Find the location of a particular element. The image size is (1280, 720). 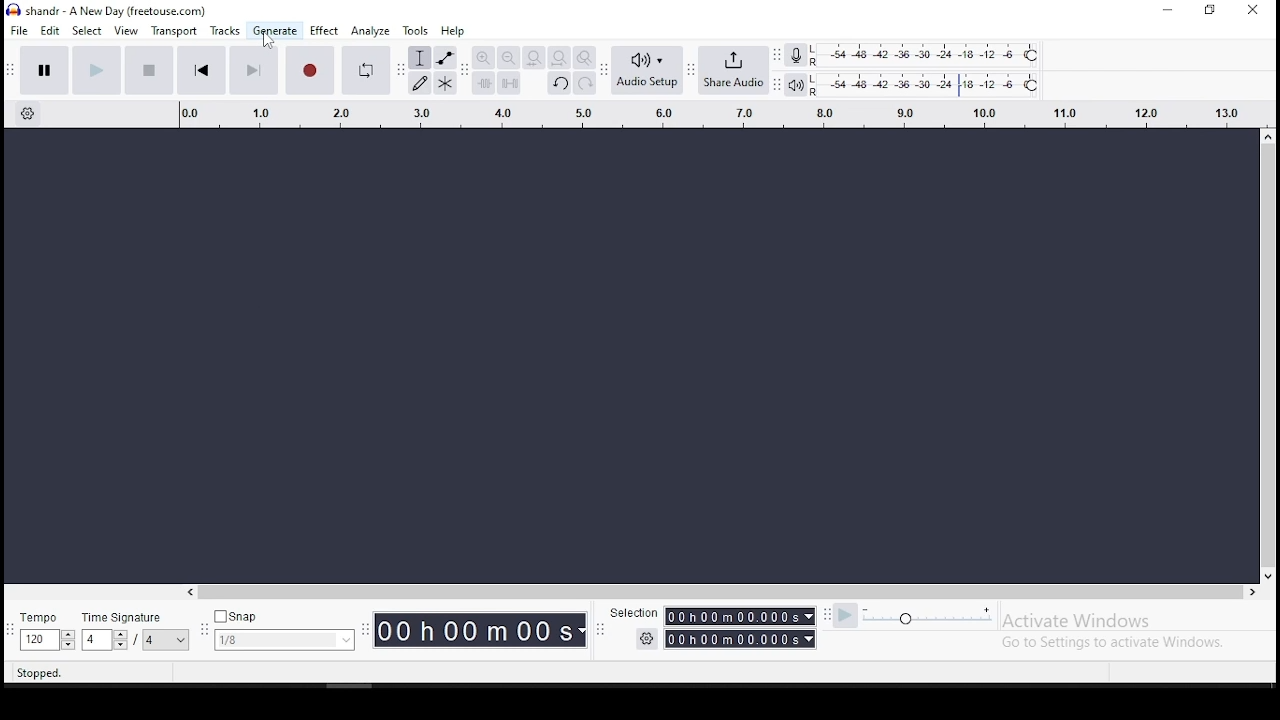

effect is located at coordinates (325, 30).